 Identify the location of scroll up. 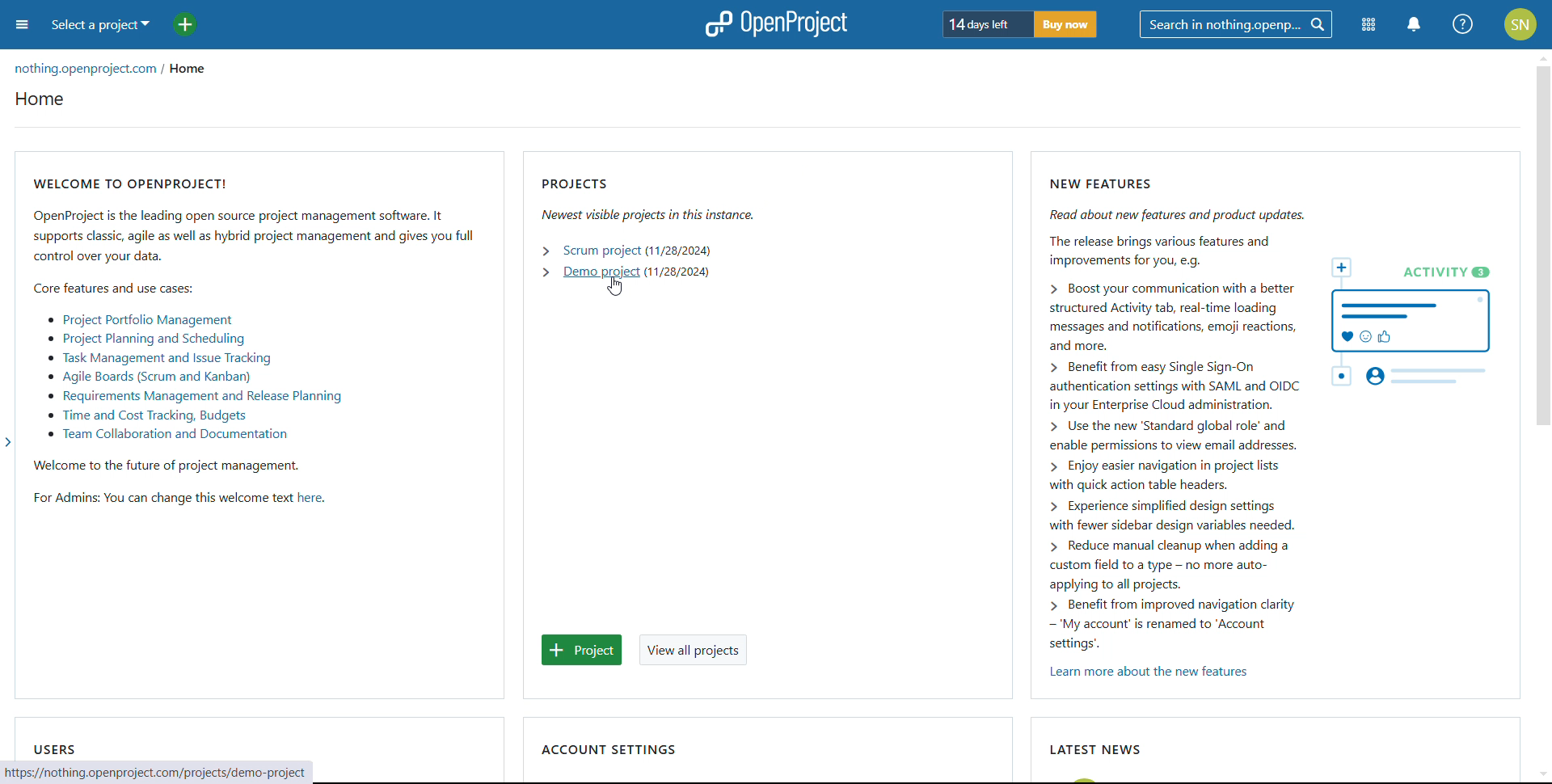
(1541, 57).